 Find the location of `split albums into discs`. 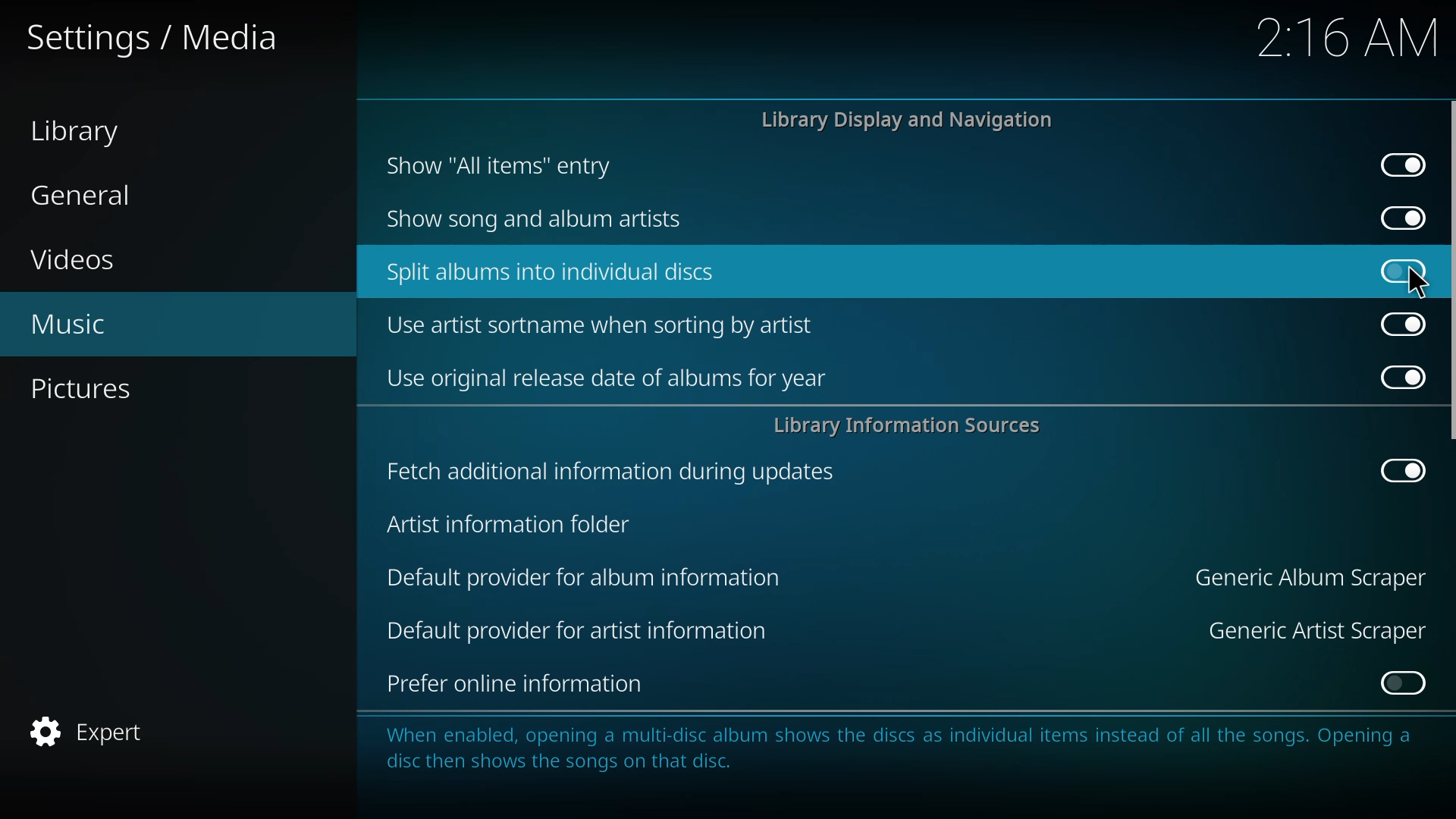

split albums into discs is located at coordinates (554, 271).